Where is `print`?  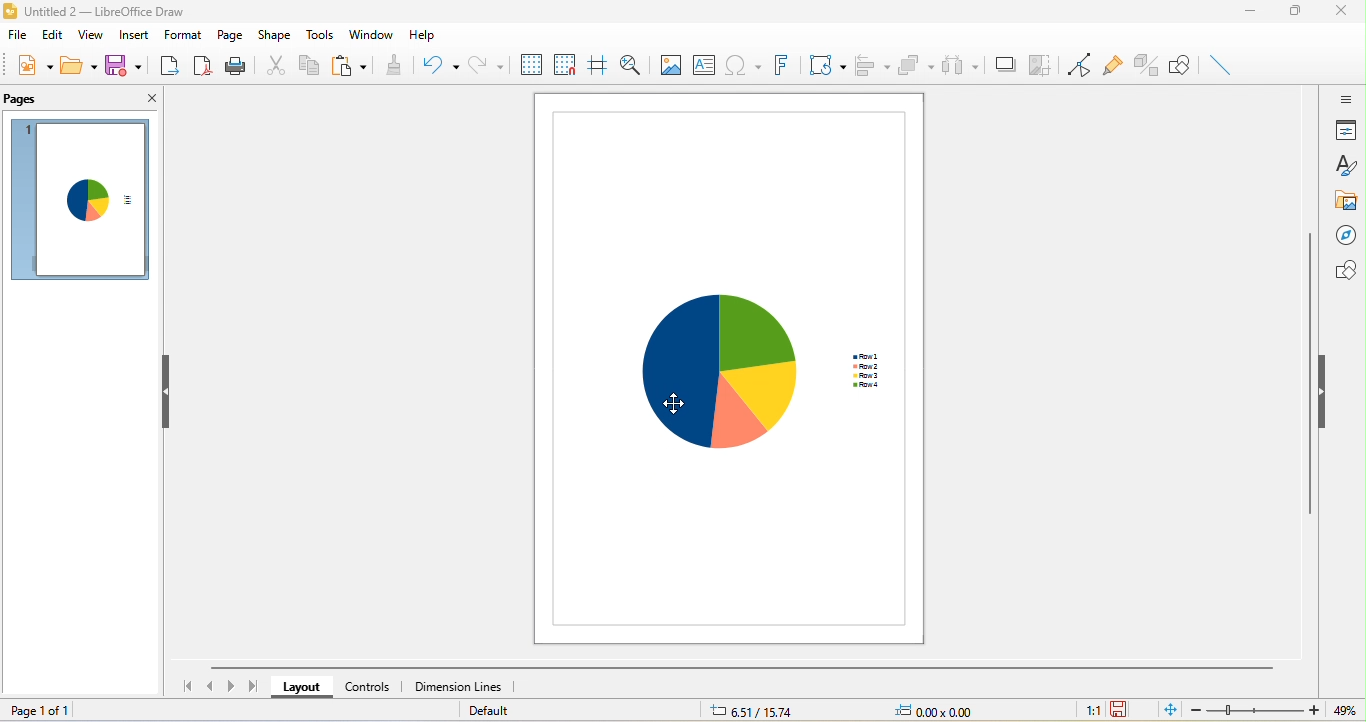 print is located at coordinates (237, 67).